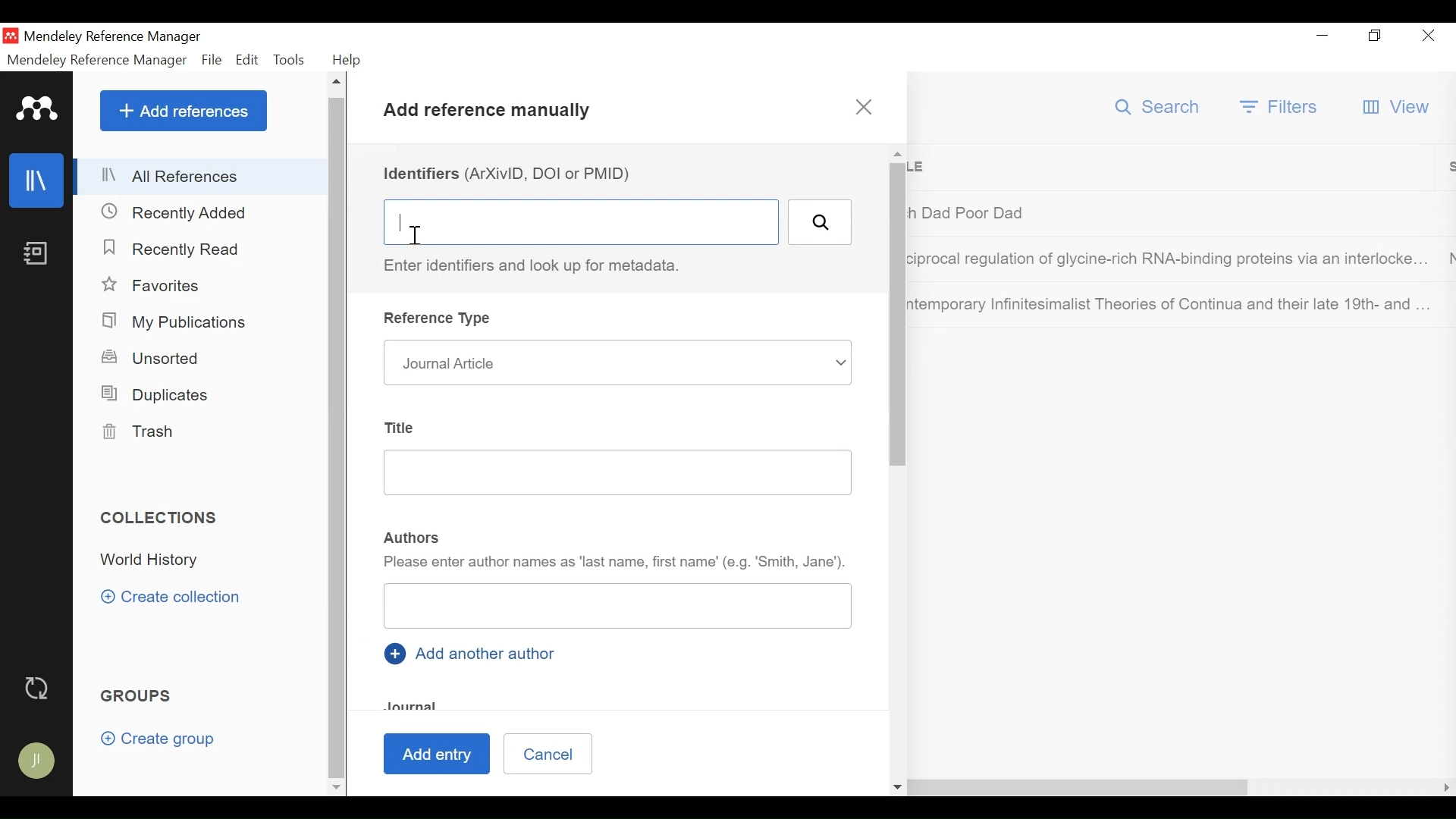  Describe the element at coordinates (212, 60) in the screenshot. I see `File` at that location.